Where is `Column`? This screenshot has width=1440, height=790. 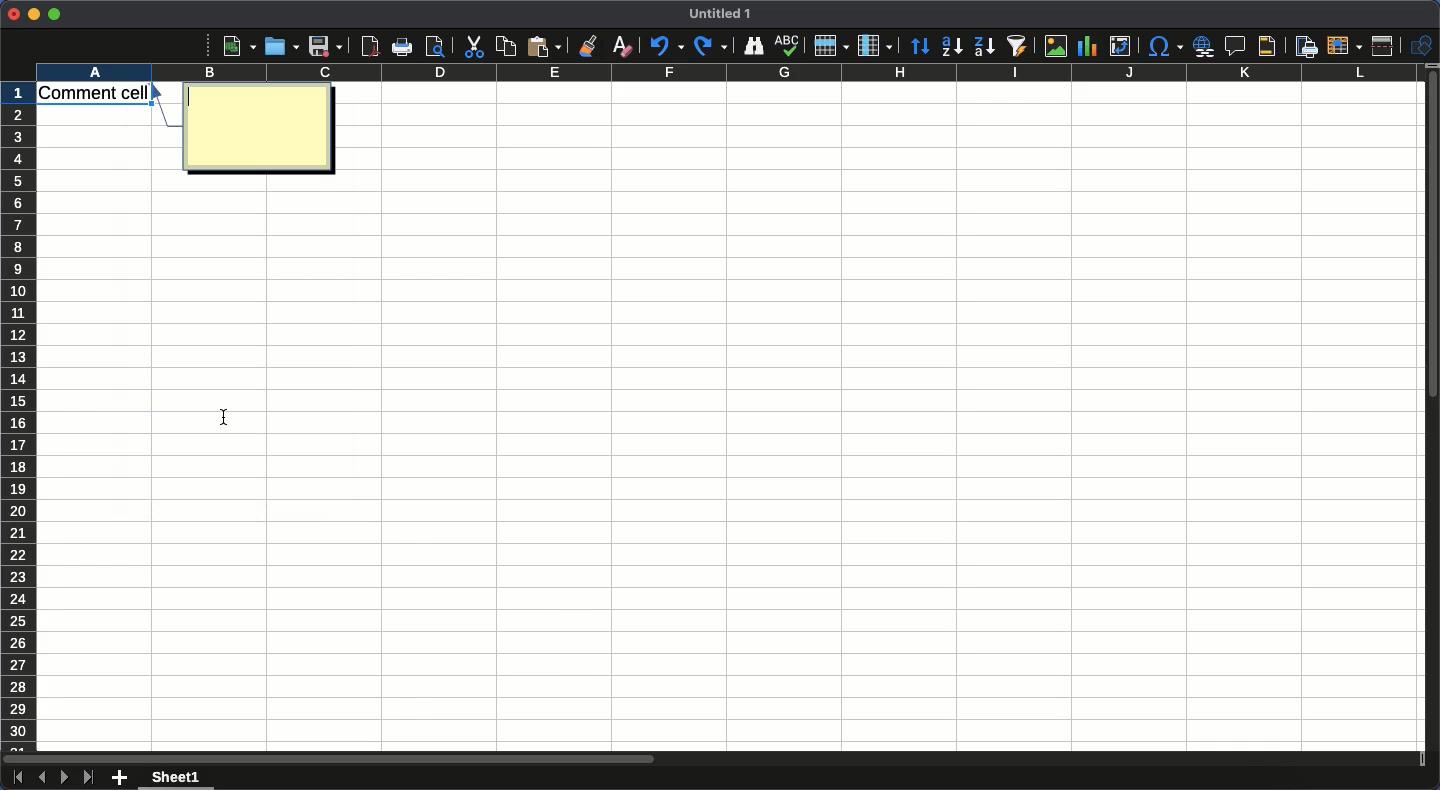
Column is located at coordinates (877, 45).